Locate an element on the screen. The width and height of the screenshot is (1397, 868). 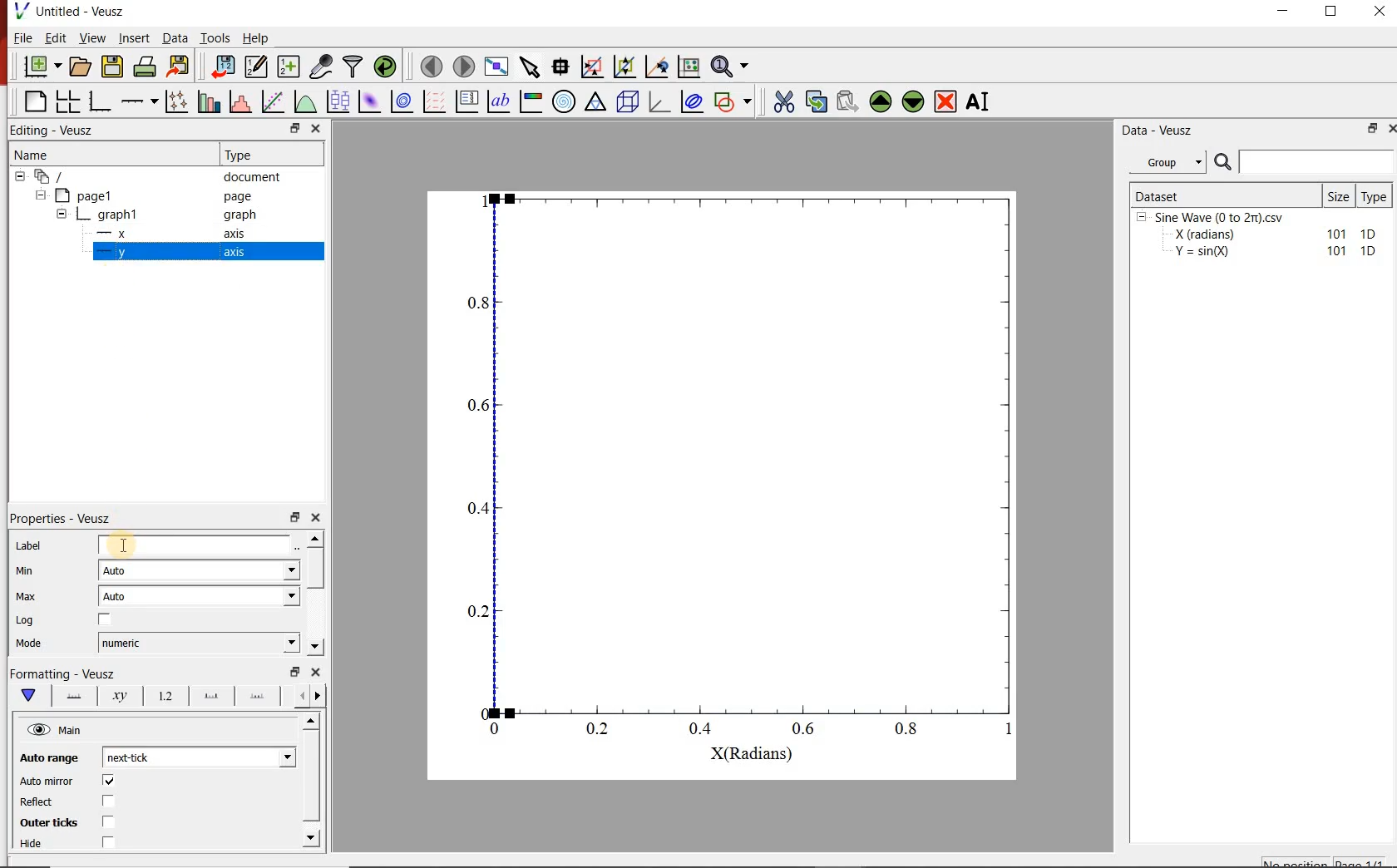
capture remote data is located at coordinates (323, 67).